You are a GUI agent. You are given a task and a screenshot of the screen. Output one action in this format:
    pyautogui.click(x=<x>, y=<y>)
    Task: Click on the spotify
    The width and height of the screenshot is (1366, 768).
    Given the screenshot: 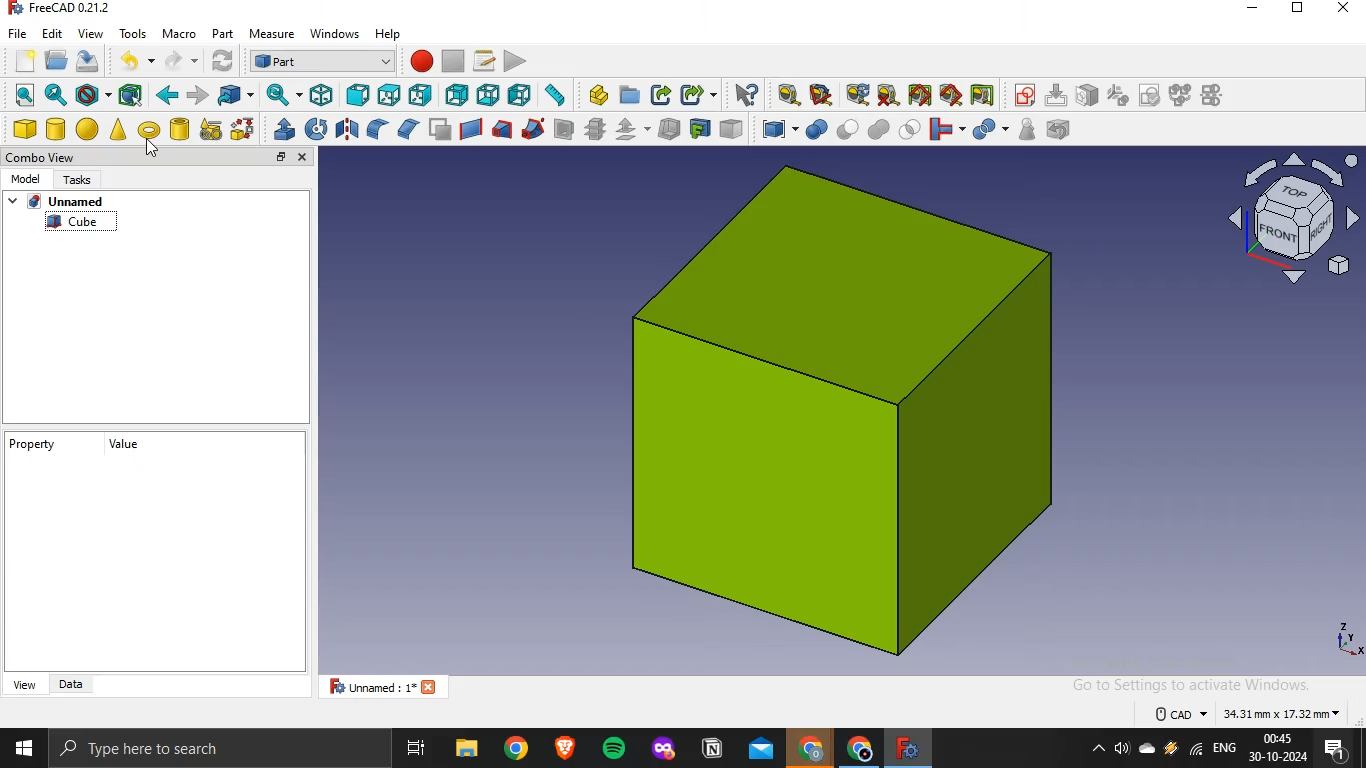 What is the action you would take?
    pyautogui.click(x=616, y=750)
    